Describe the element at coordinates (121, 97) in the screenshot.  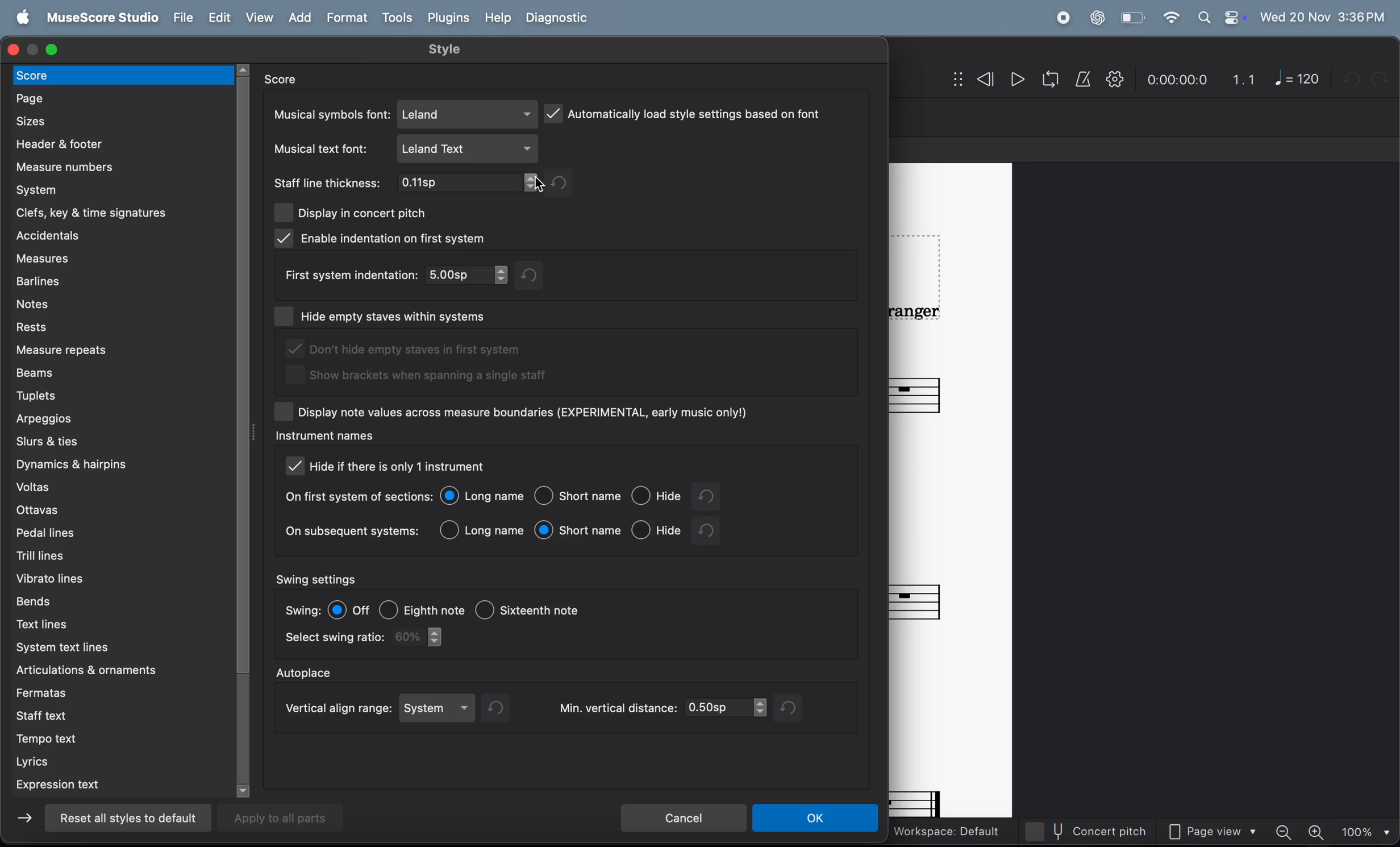
I see `page ` at that location.